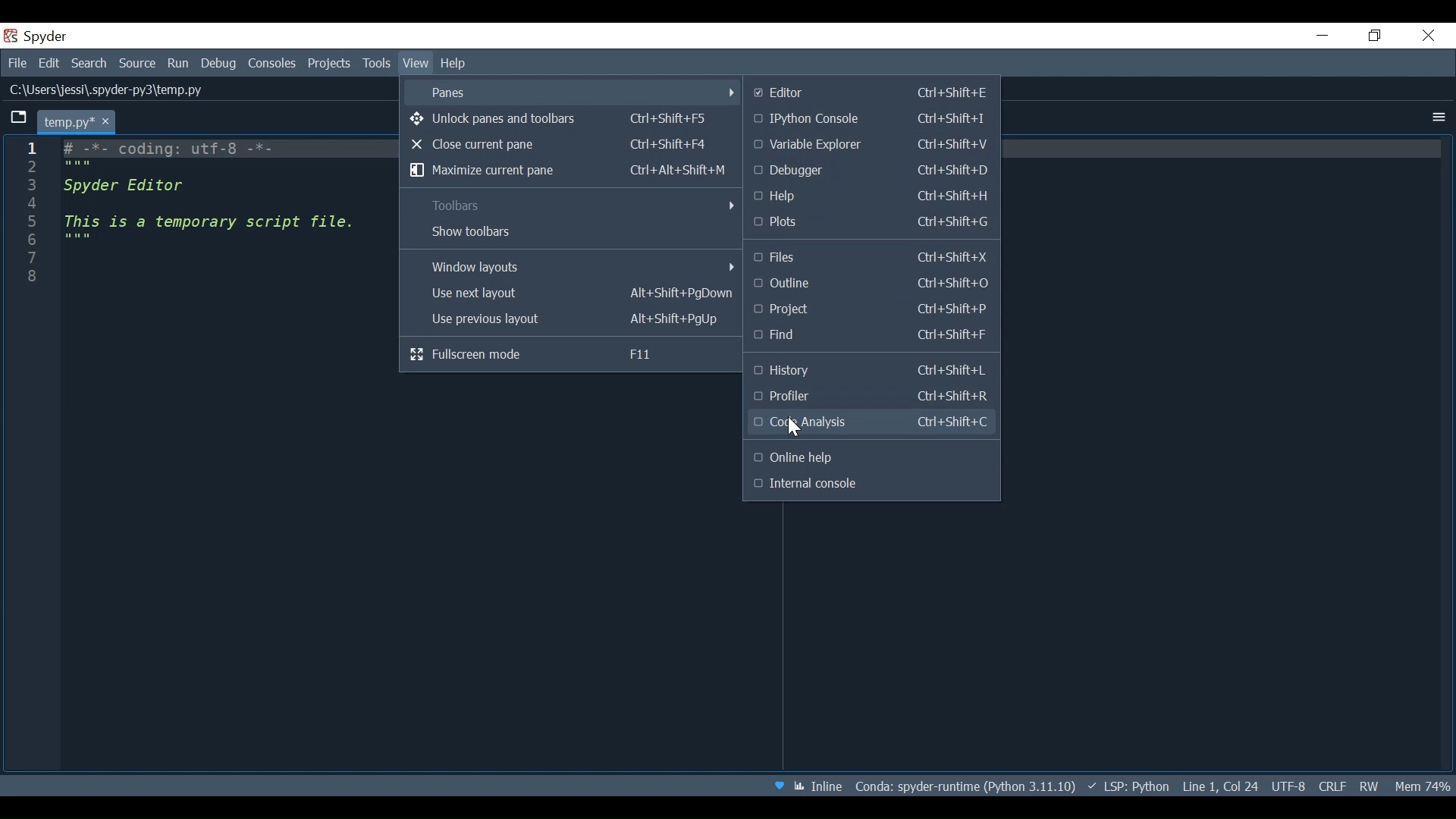 The image size is (1456, 819). Describe the element at coordinates (1219, 784) in the screenshot. I see `Cursor position` at that location.